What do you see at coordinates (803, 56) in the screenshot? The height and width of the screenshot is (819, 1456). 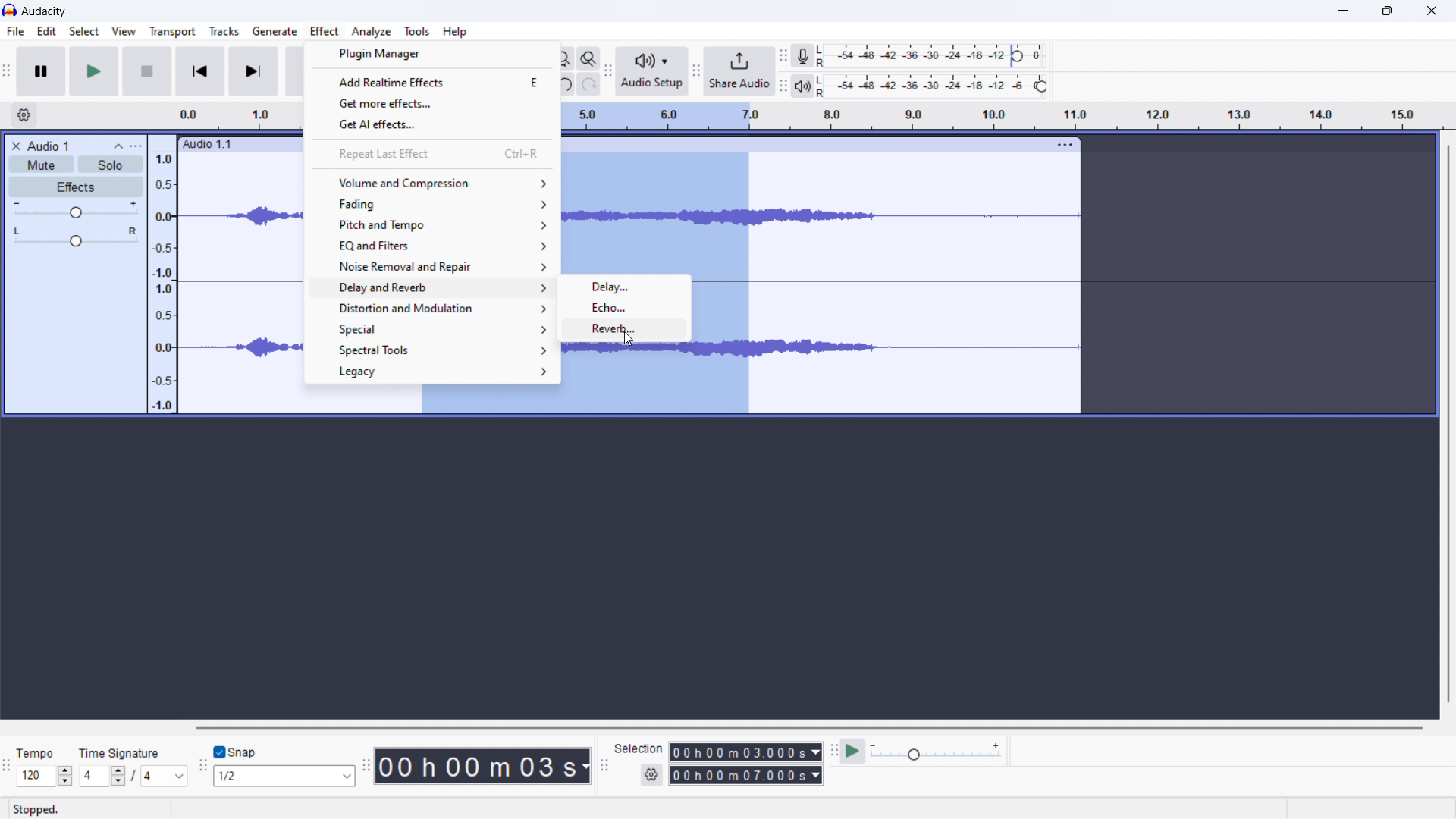 I see `recording meter` at bounding box center [803, 56].